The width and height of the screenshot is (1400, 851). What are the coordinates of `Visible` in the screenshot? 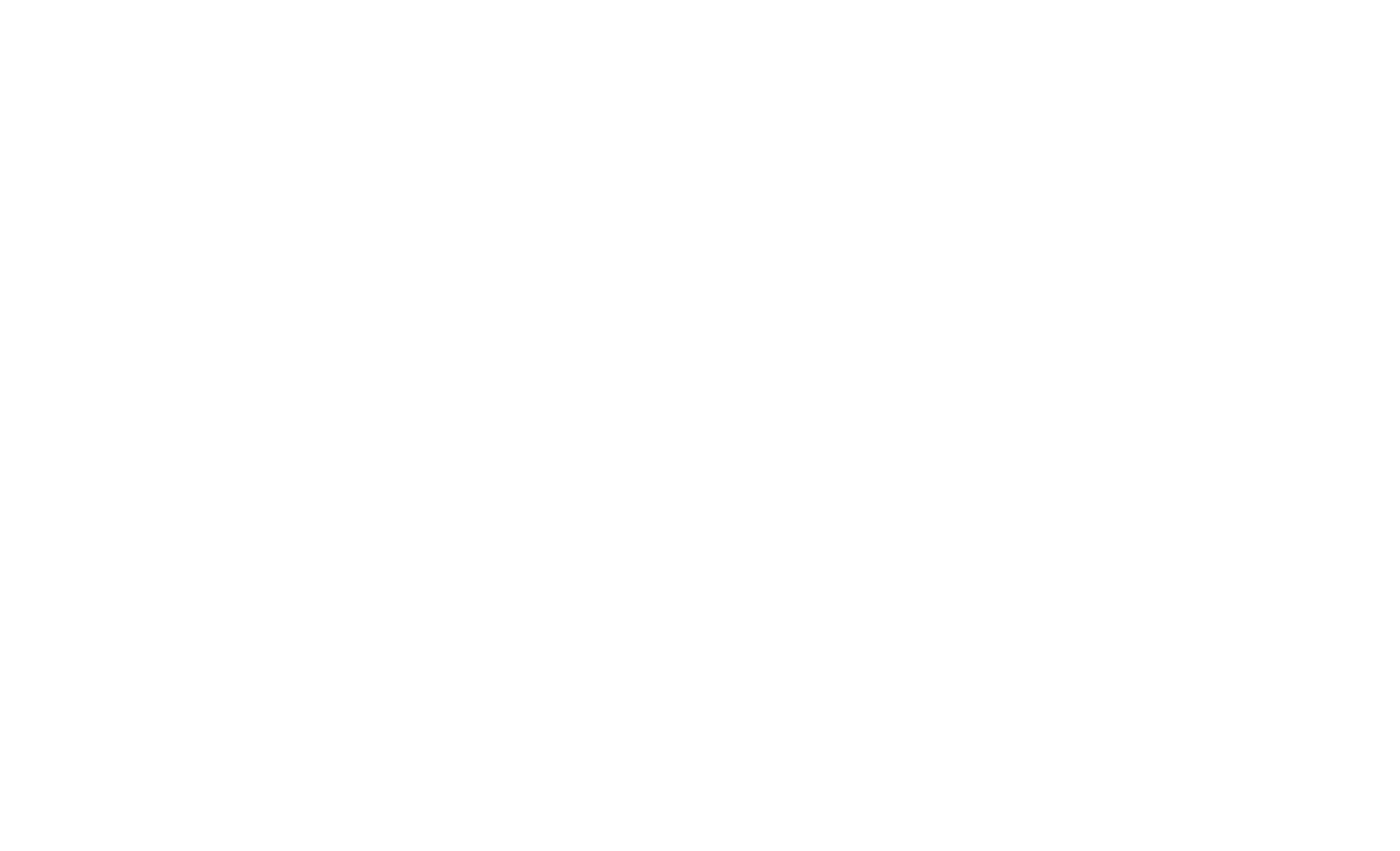 It's located at (497, 592).